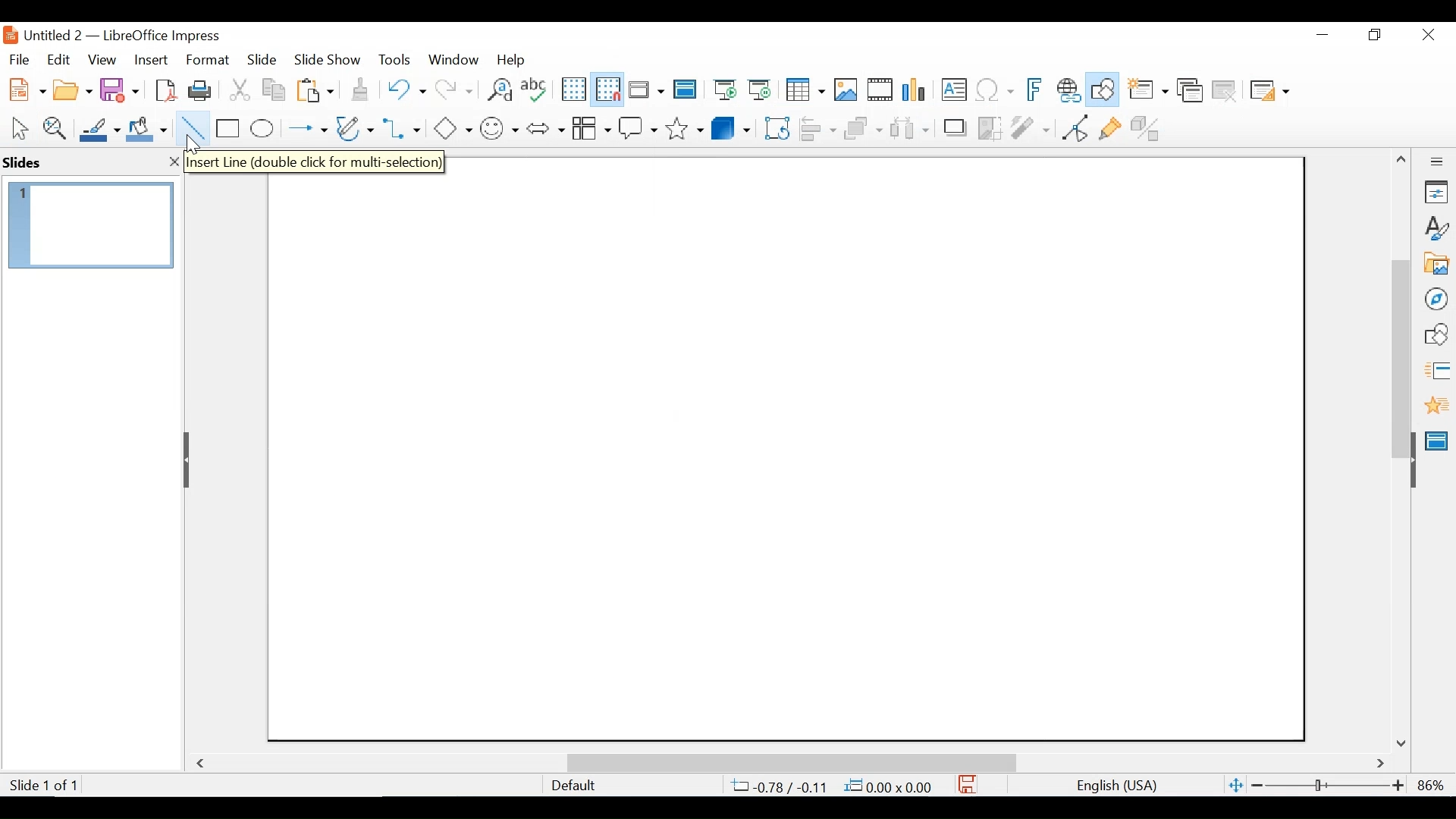 This screenshot has width=1456, height=819. Describe the element at coordinates (1436, 265) in the screenshot. I see `Galler` at that location.